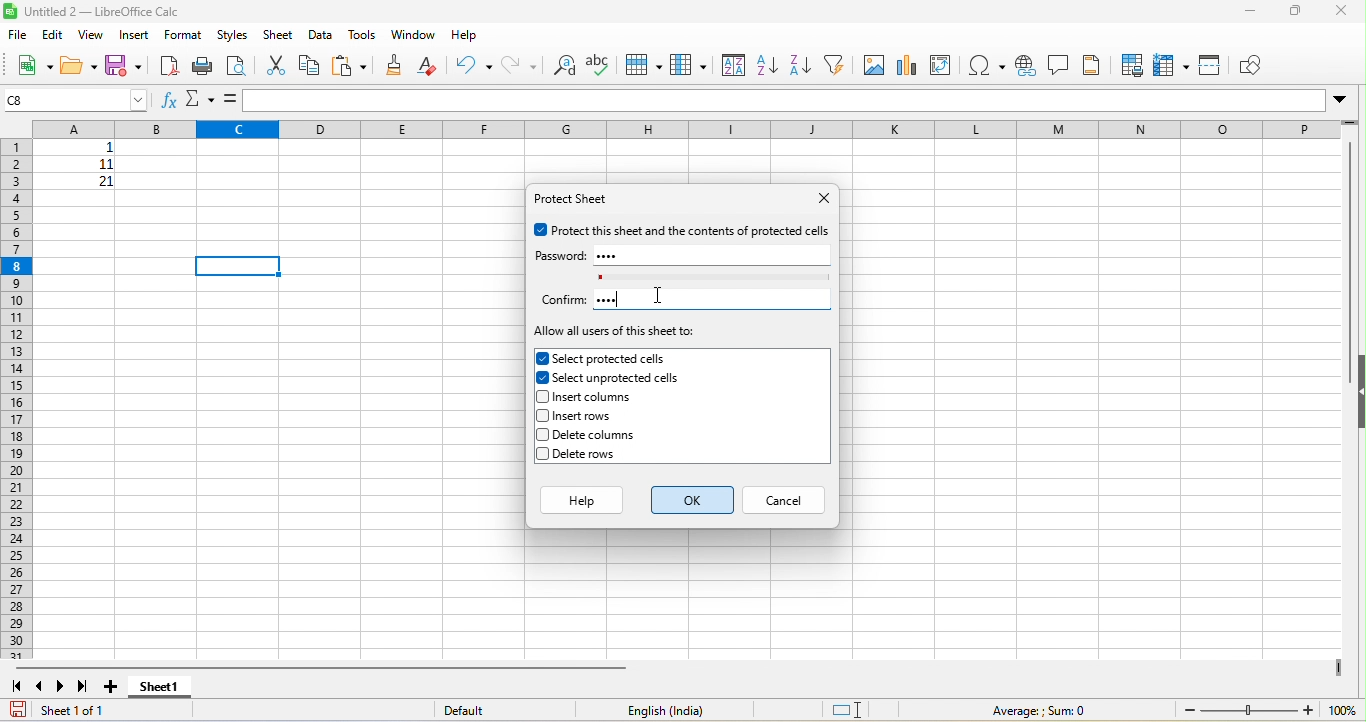 Image resolution: width=1366 pixels, height=722 pixels. What do you see at coordinates (135, 35) in the screenshot?
I see `insert` at bounding box center [135, 35].